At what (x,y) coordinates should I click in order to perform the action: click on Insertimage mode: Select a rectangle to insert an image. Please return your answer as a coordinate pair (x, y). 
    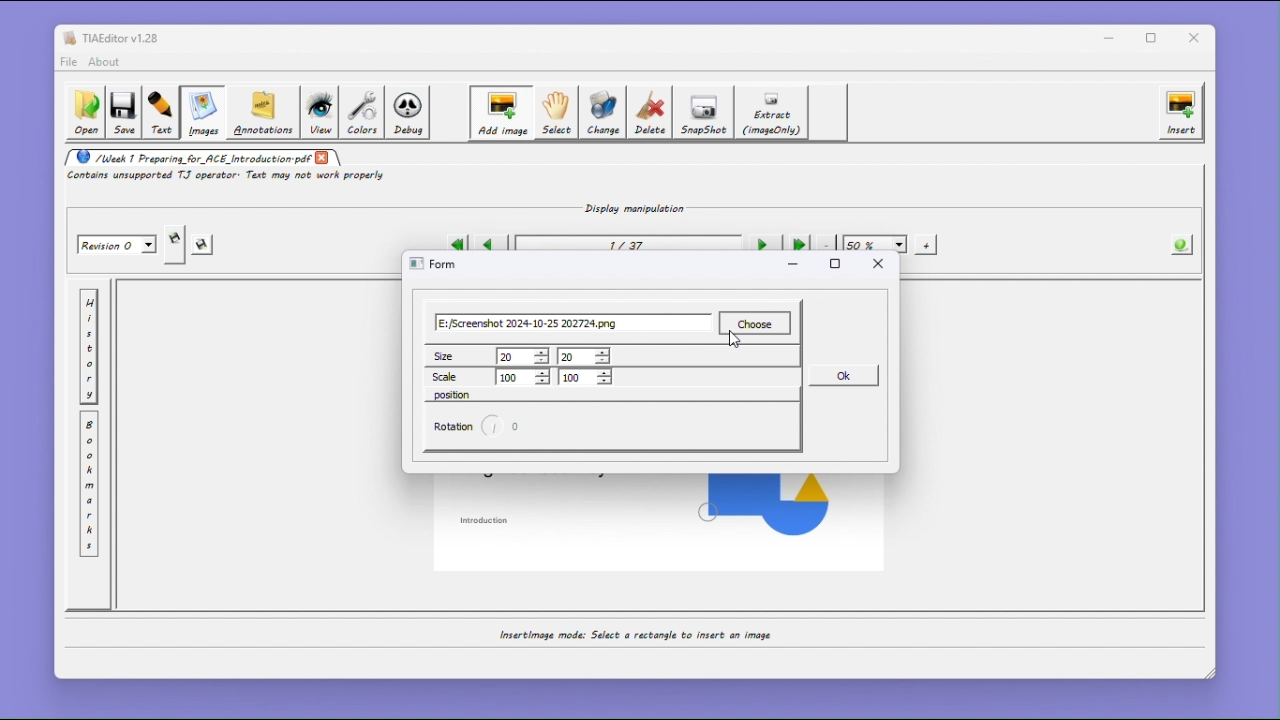
    Looking at the image, I should click on (633, 635).